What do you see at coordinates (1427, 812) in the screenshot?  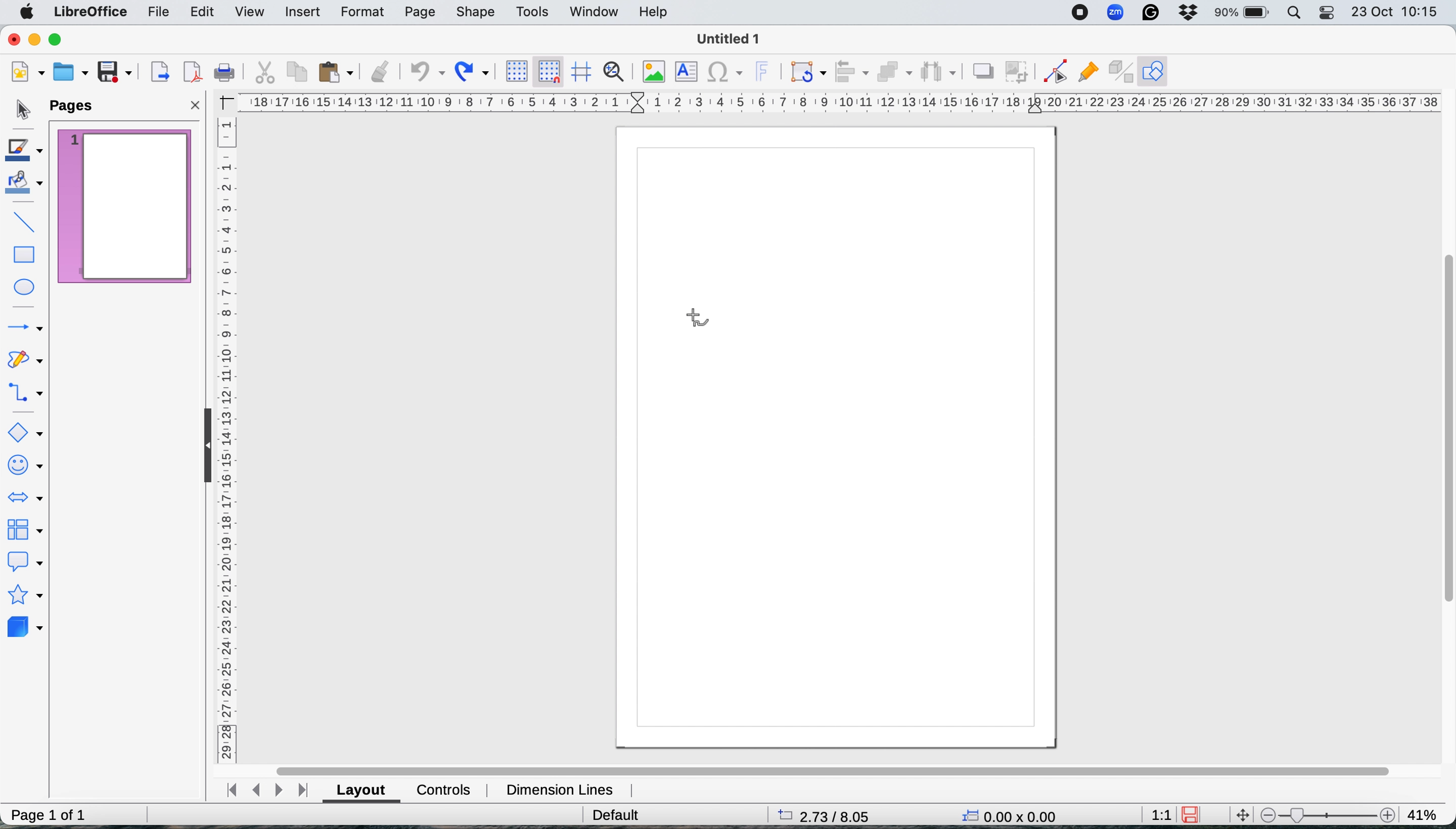 I see `zoom factor` at bounding box center [1427, 812].